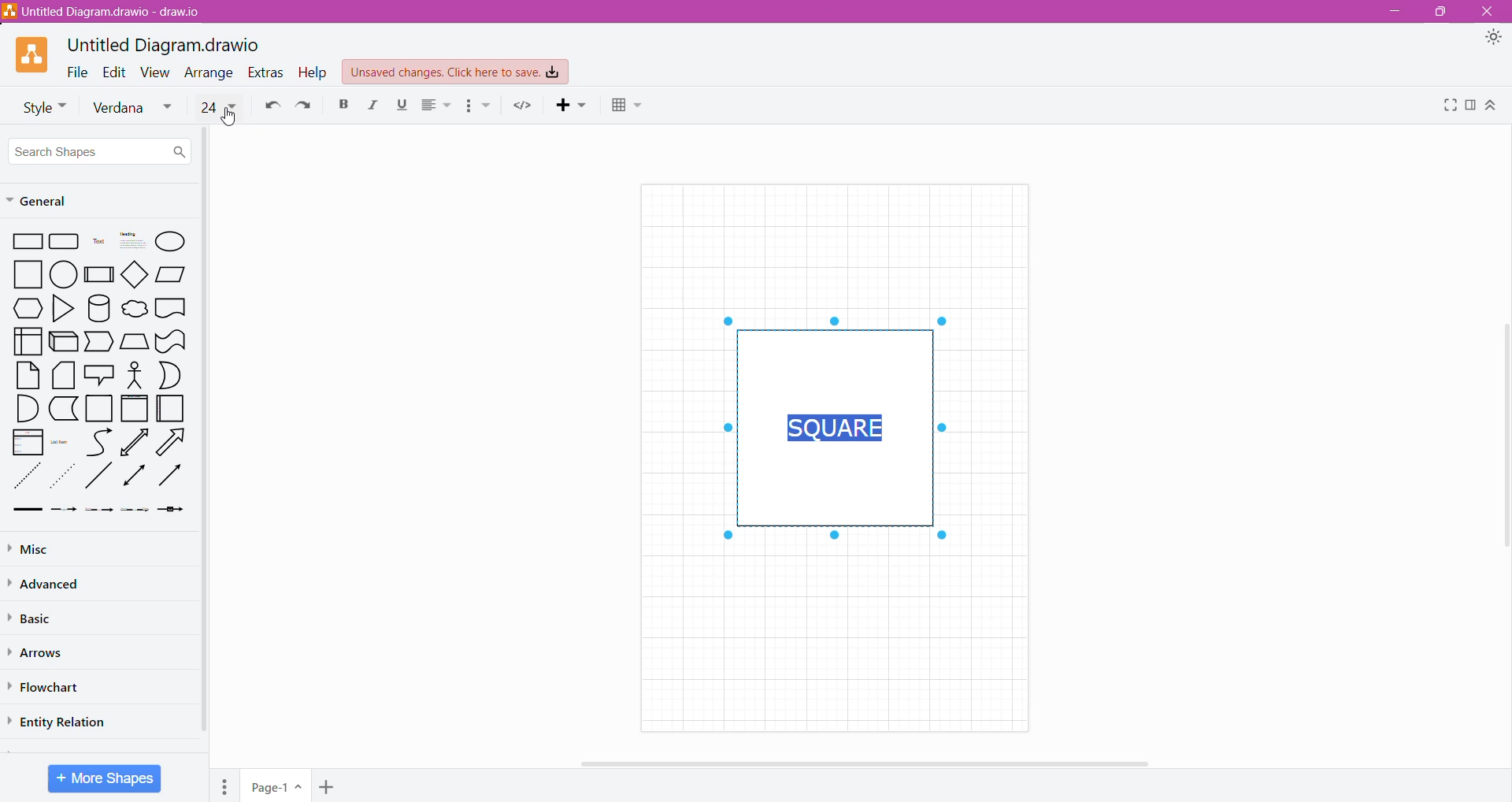  What do you see at coordinates (171, 308) in the screenshot?
I see `Document` at bounding box center [171, 308].